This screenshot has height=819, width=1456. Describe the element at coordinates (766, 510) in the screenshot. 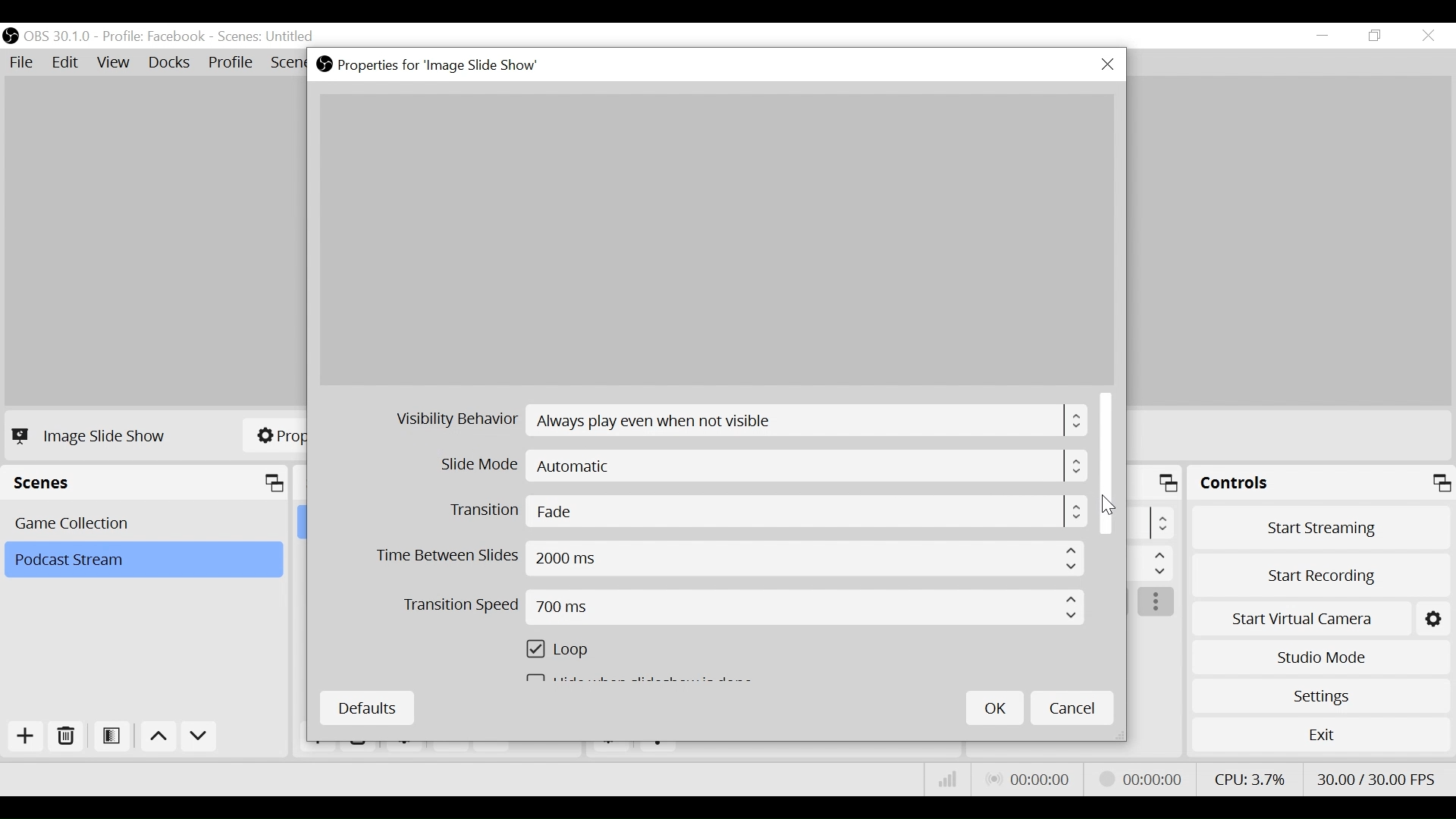

I see `Transition` at that location.